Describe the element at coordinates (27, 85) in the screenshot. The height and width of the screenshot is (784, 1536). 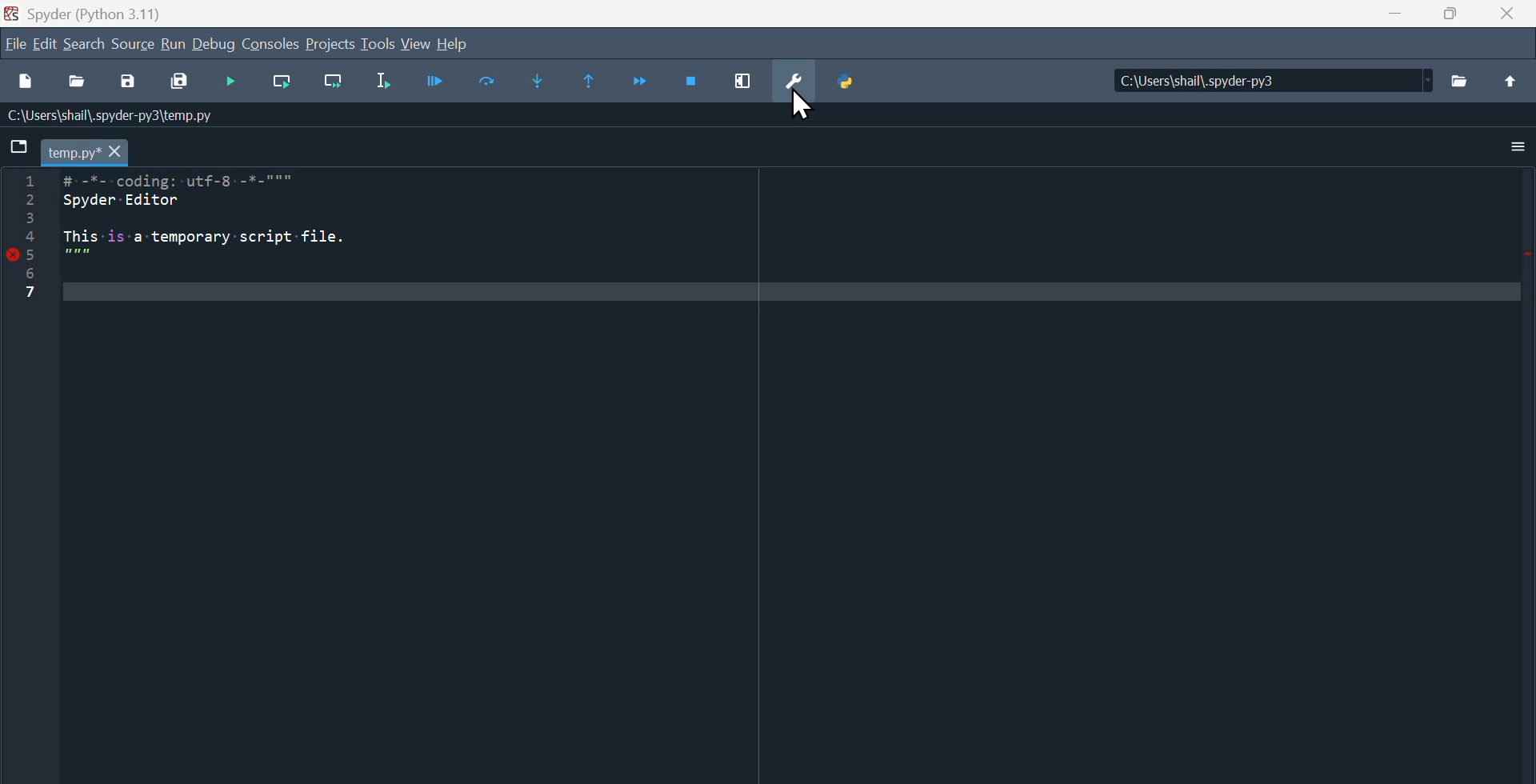
I see `New file` at that location.